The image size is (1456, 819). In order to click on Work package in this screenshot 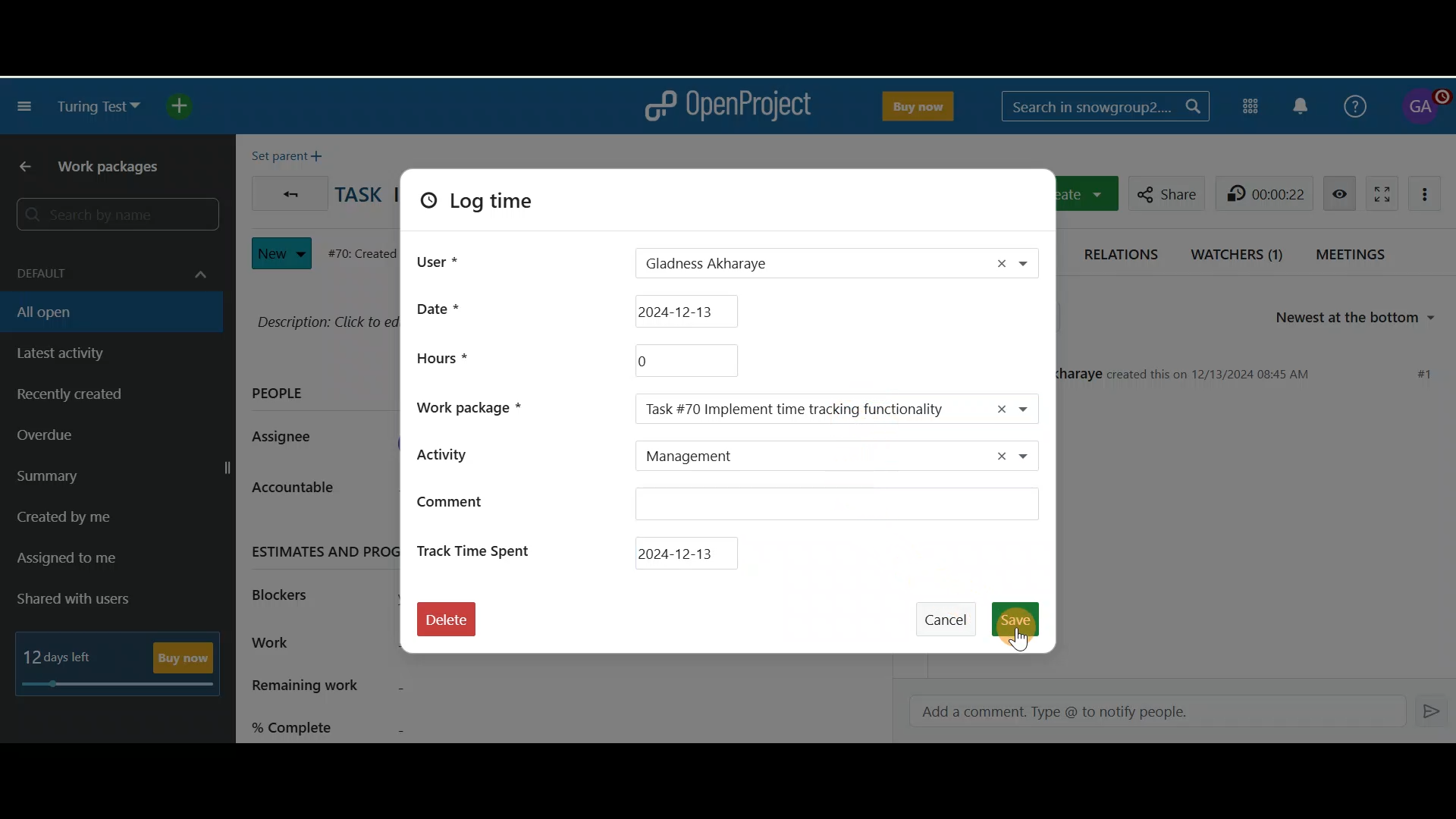, I will do `click(479, 406)`.